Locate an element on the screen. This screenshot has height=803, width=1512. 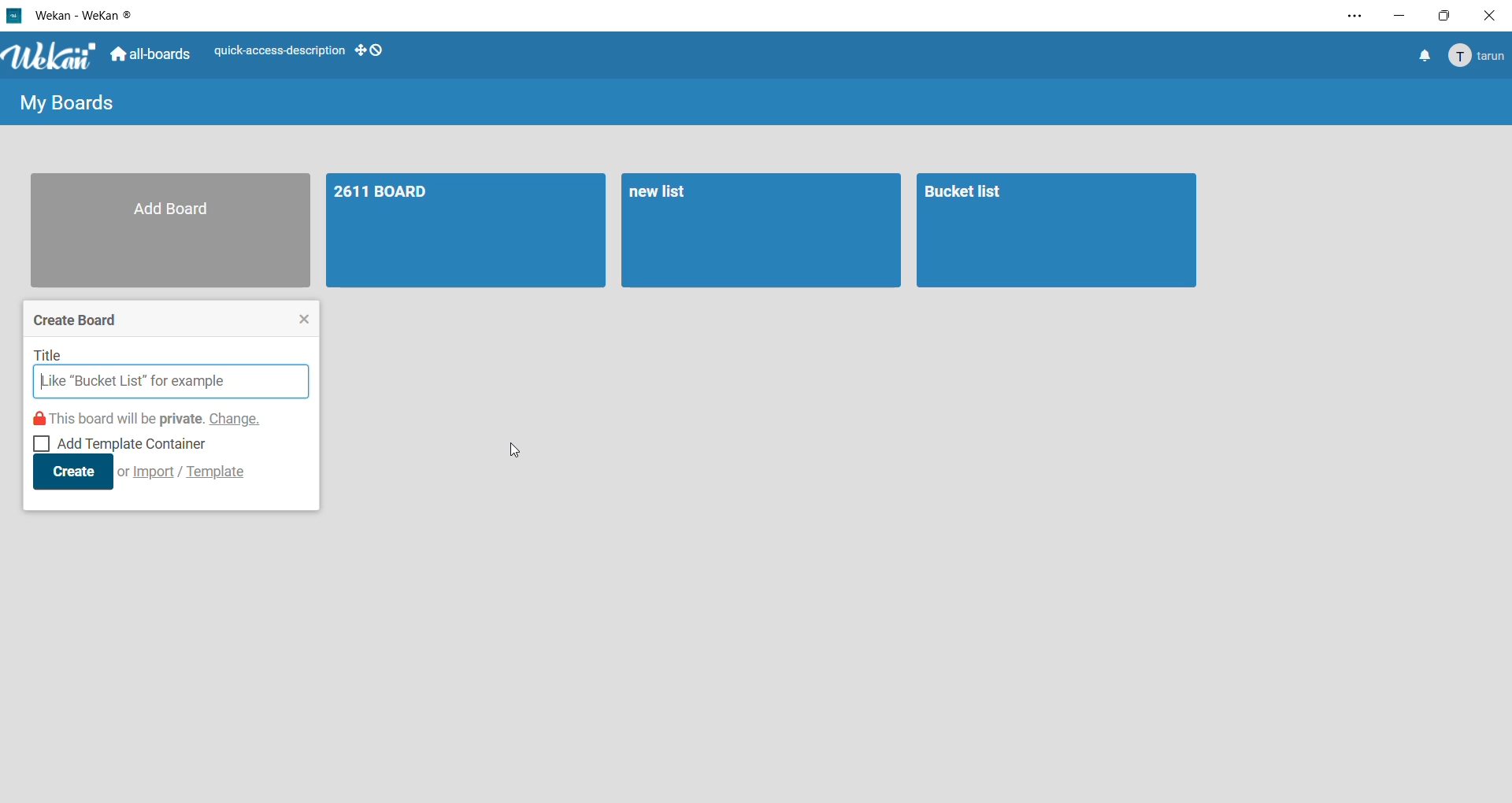
minimize is located at coordinates (1402, 16).